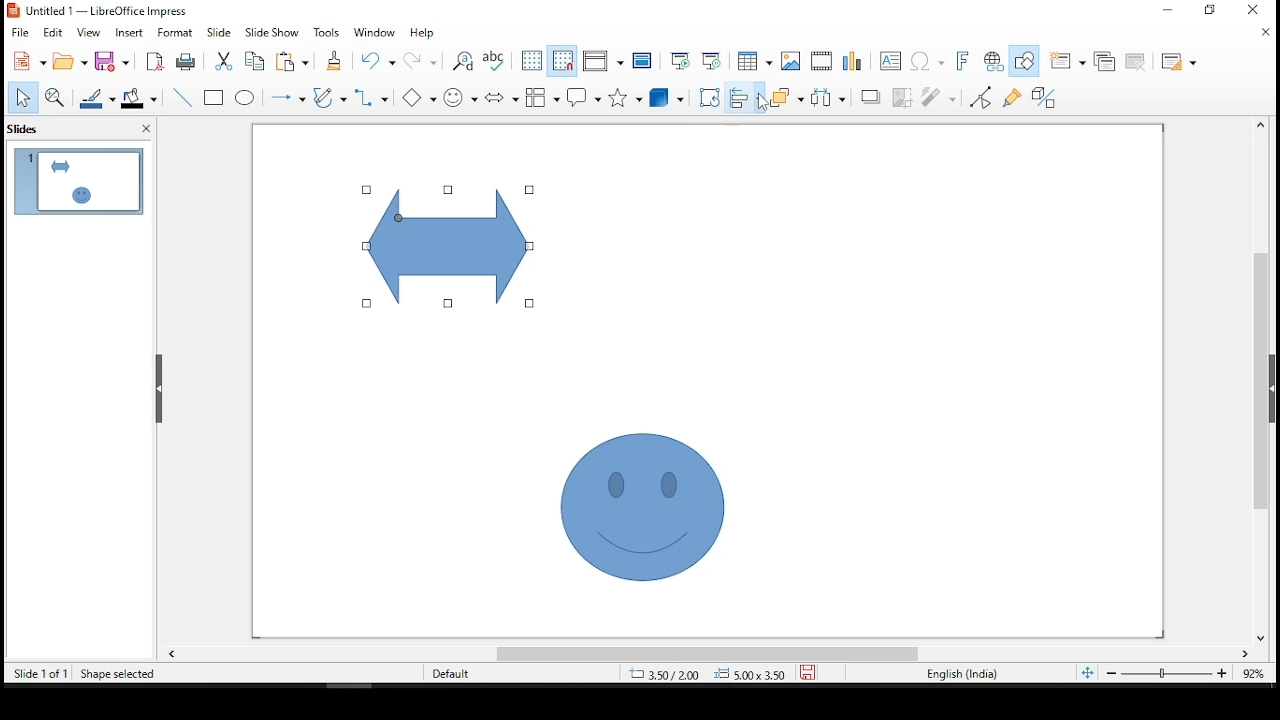 This screenshot has height=720, width=1280. Describe the element at coordinates (898, 96) in the screenshot. I see `crop image` at that location.